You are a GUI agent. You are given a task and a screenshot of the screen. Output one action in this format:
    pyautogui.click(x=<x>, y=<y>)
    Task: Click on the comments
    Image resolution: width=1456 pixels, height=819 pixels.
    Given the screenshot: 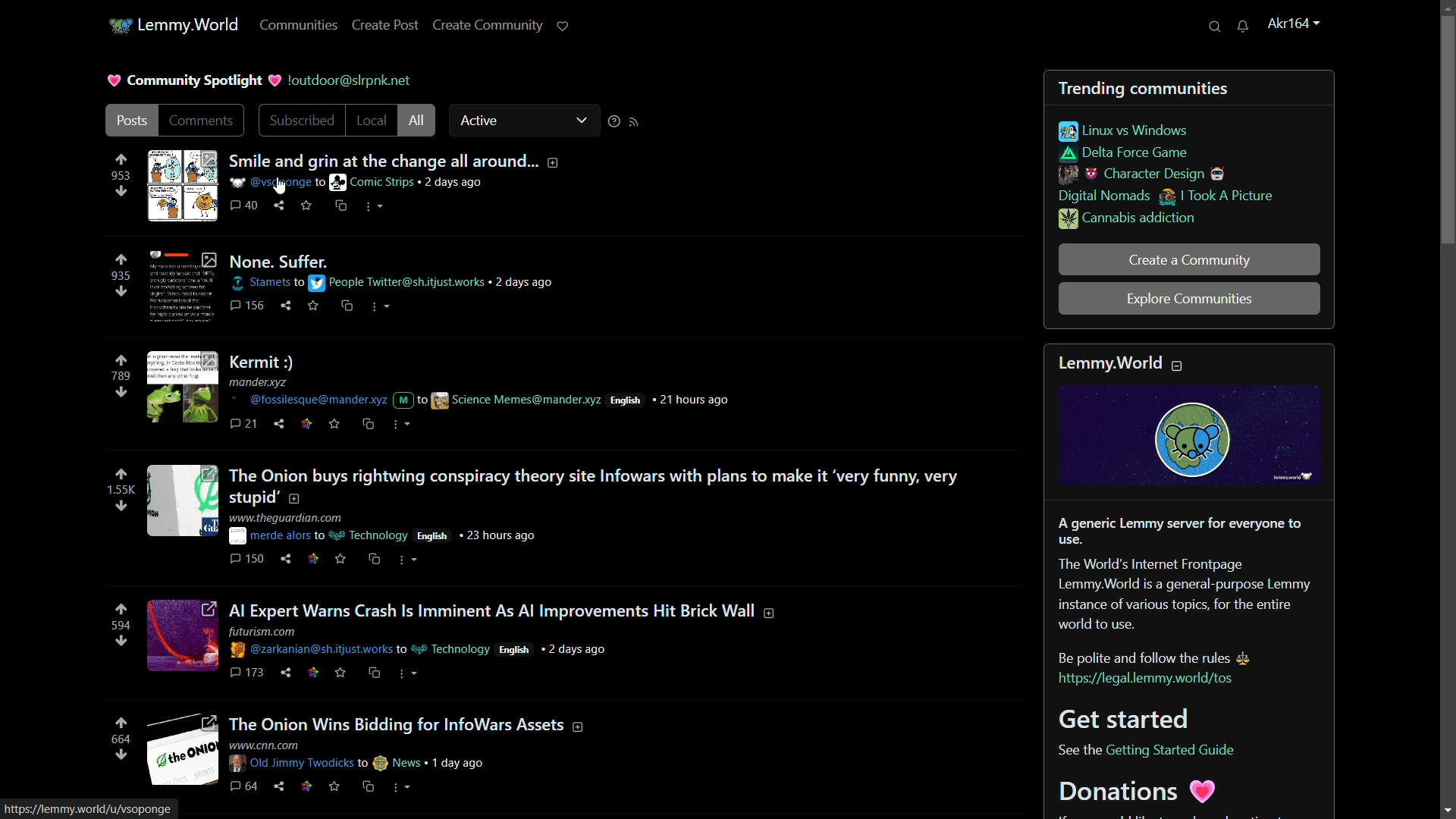 What is the action you would take?
    pyautogui.click(x=246, y=786)
    